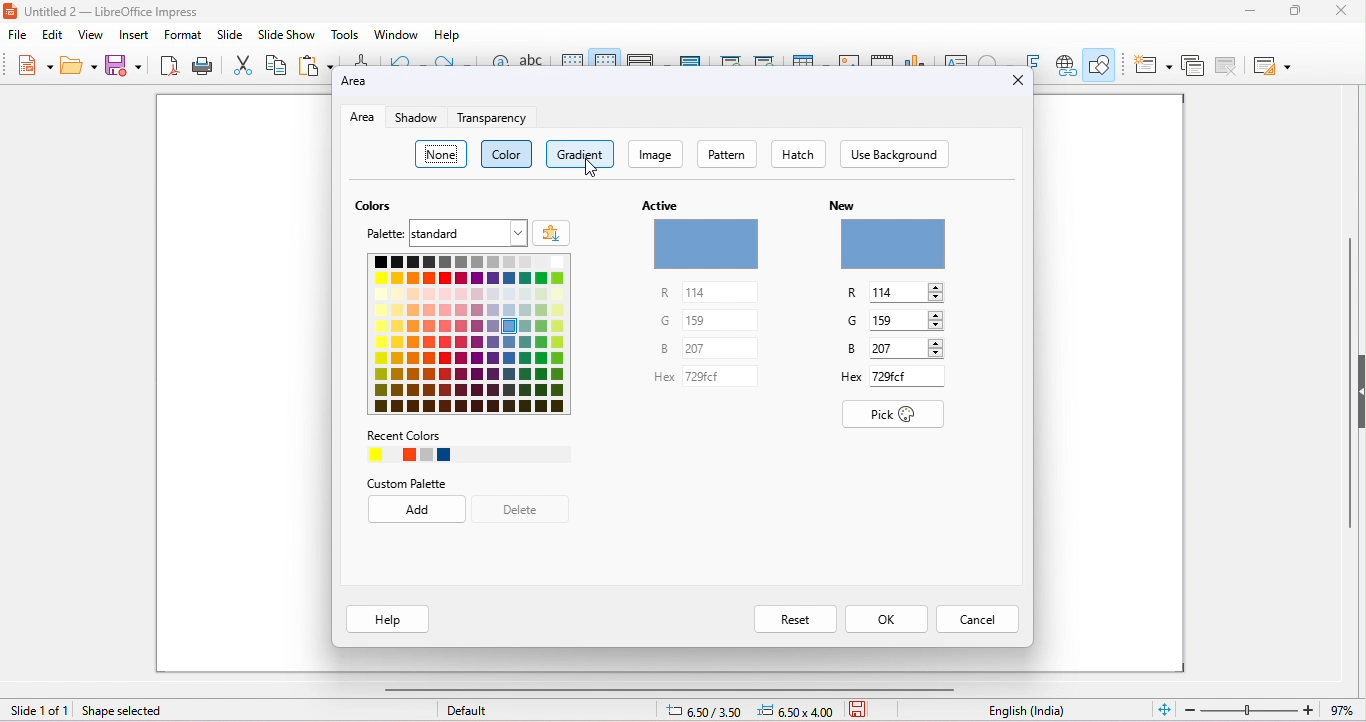 This screenshot has height=722, width=1366. I want to click on save, so click(862, 708).